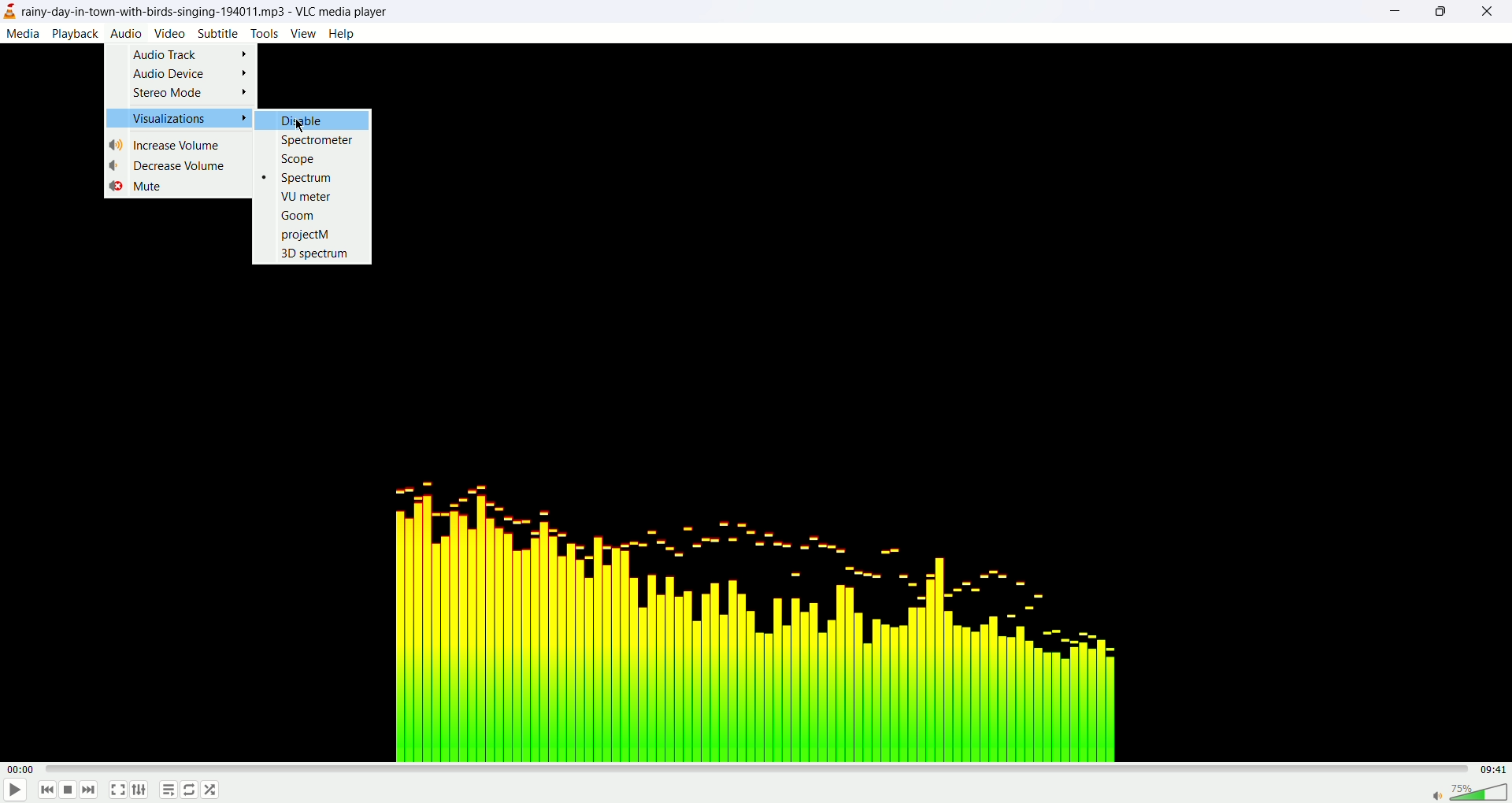  Describe the element at coordinates (69, 792) in the screenshot. I see `stop` at that location.